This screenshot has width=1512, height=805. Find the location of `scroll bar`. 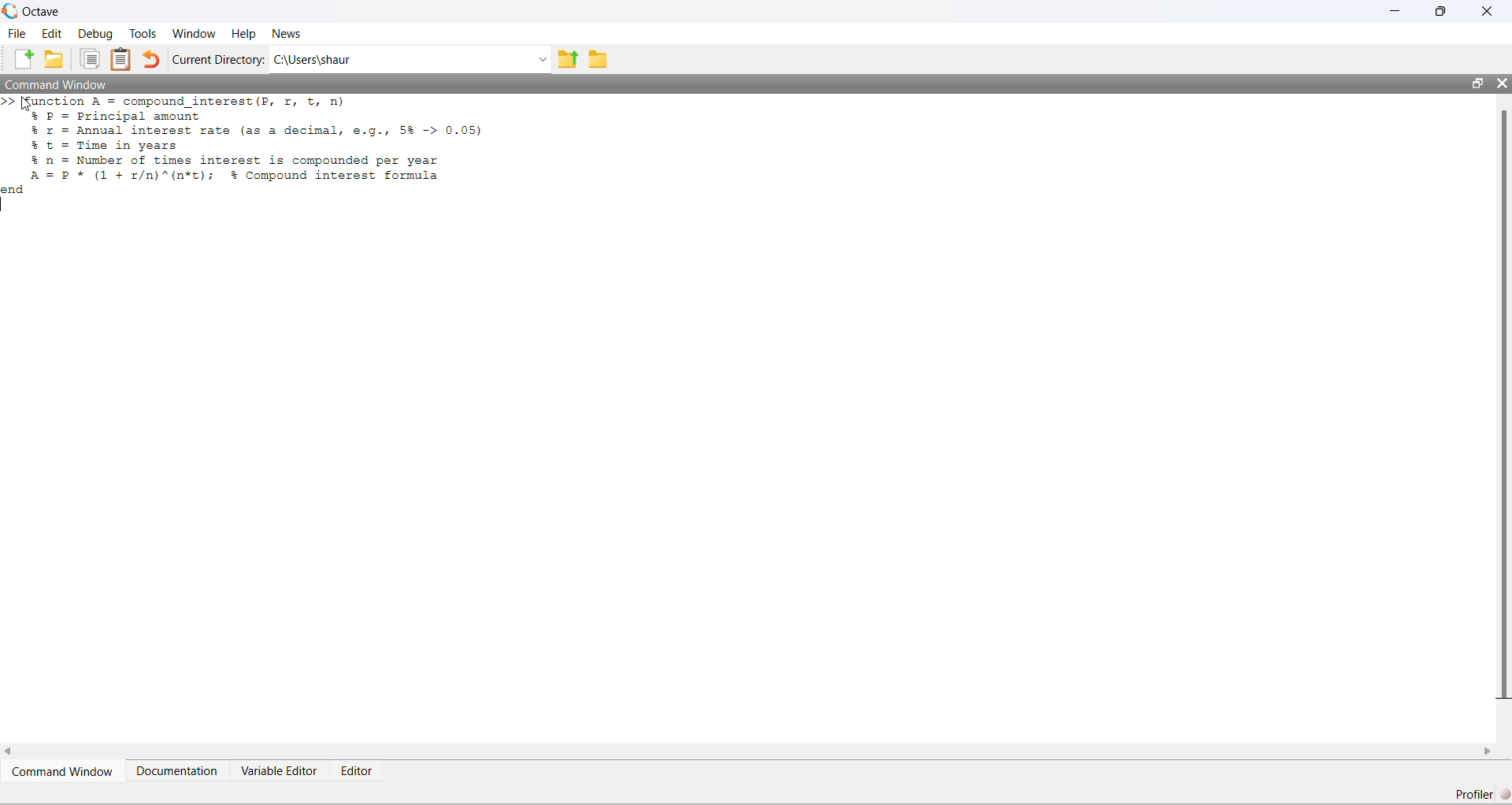

scroll bar is located at coordinates (1504, 406).